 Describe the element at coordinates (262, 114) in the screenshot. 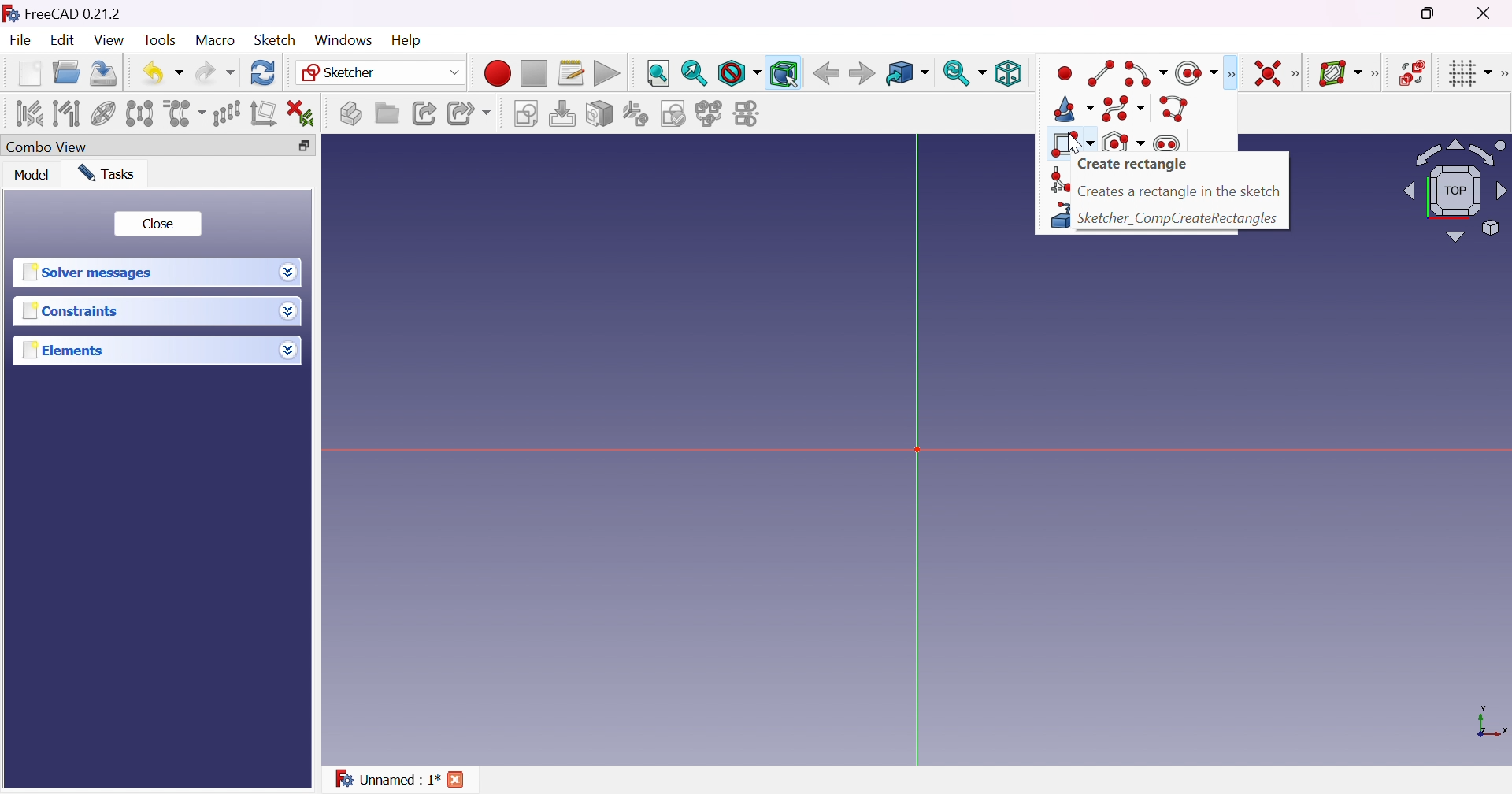

I see `Remove axes alignment` at that location.